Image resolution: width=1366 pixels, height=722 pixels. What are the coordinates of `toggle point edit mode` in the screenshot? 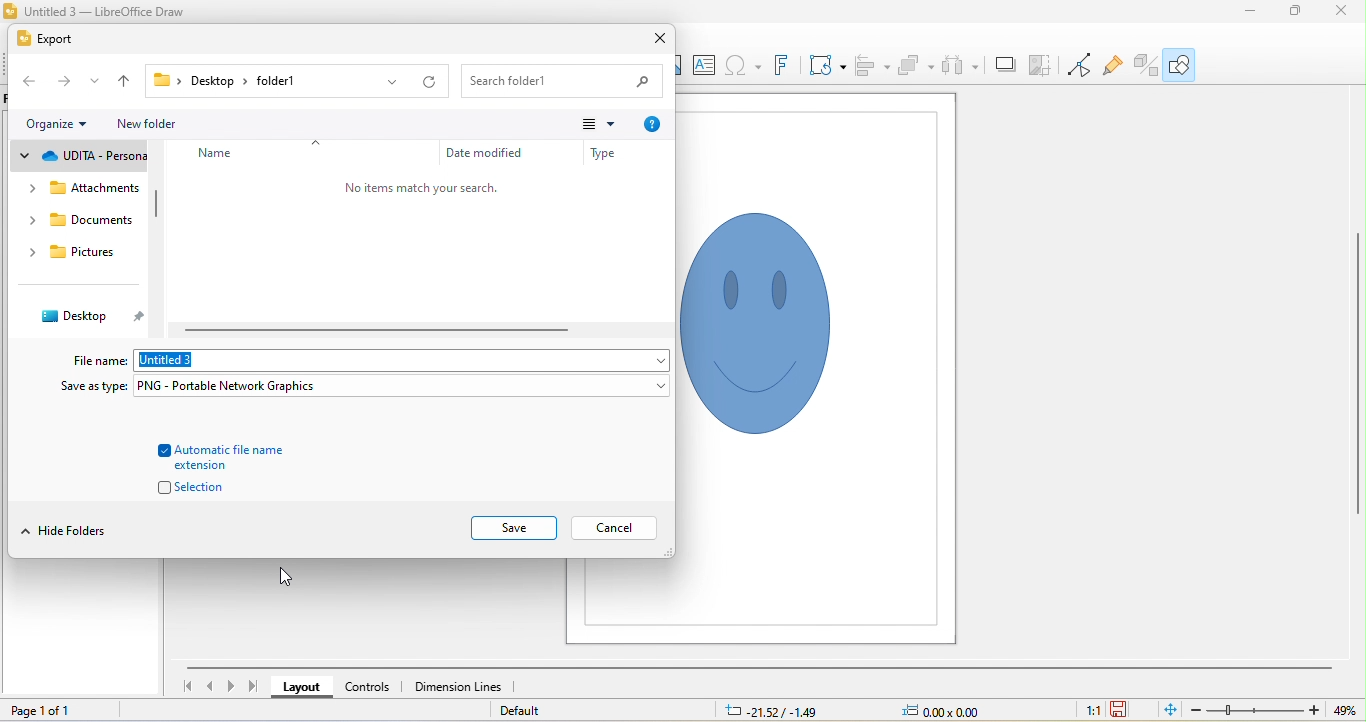 It's located at (1080, 67).